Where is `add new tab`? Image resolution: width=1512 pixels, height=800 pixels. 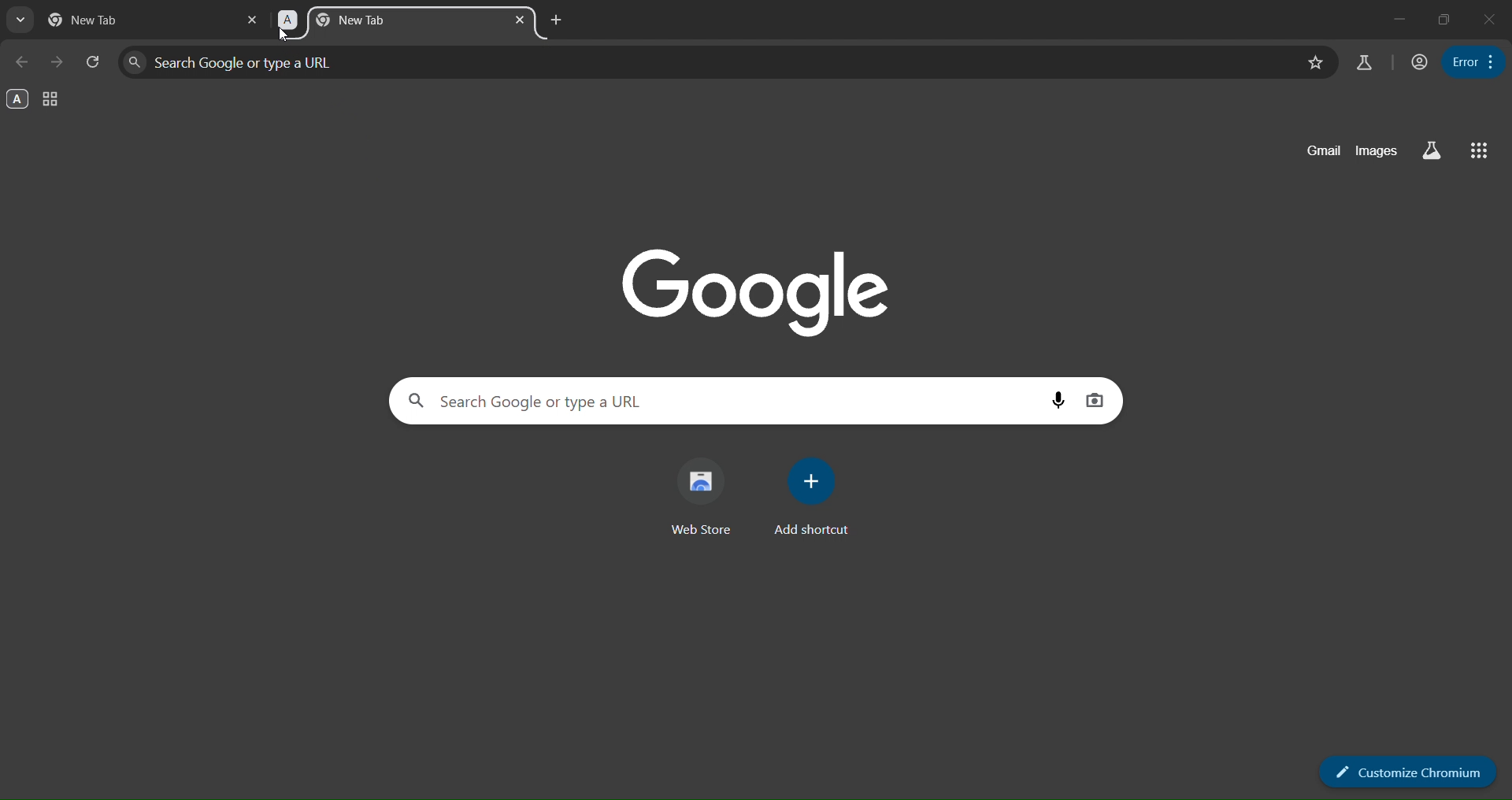
add new tab is located at coordinates (554, 19).